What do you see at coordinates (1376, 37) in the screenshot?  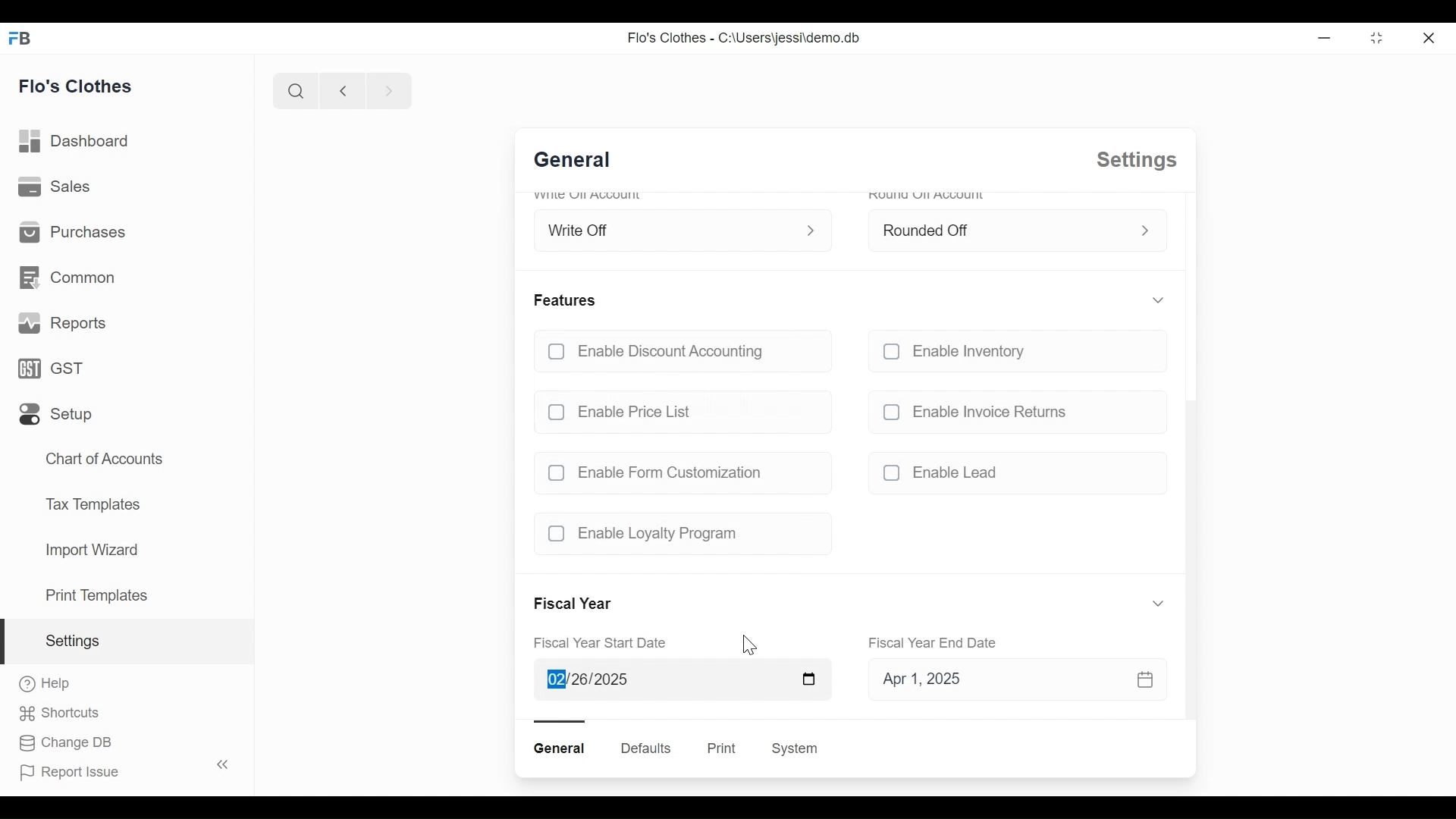 I see `Restore` at bounding box center [1376, 37].